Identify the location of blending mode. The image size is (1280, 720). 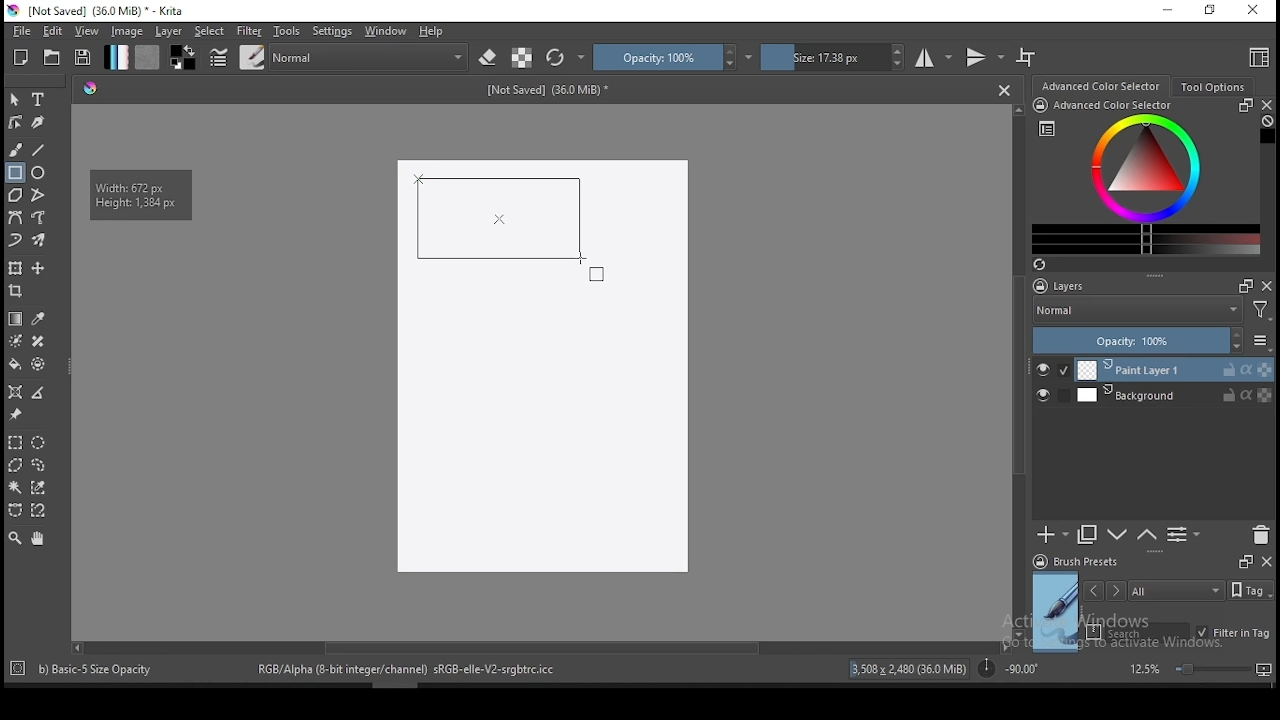
(1136, 312).